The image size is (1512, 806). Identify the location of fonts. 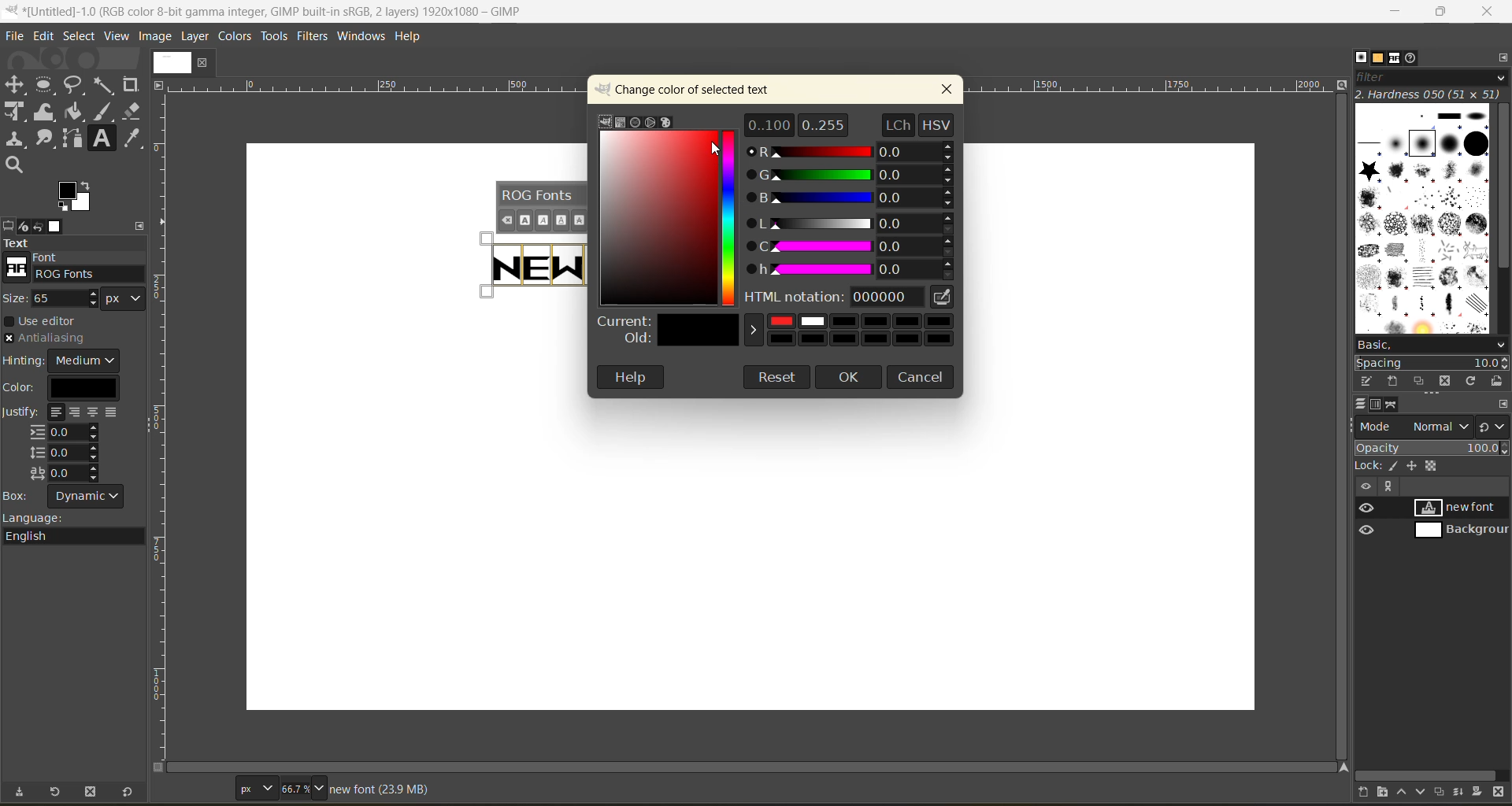
(1398, 59).